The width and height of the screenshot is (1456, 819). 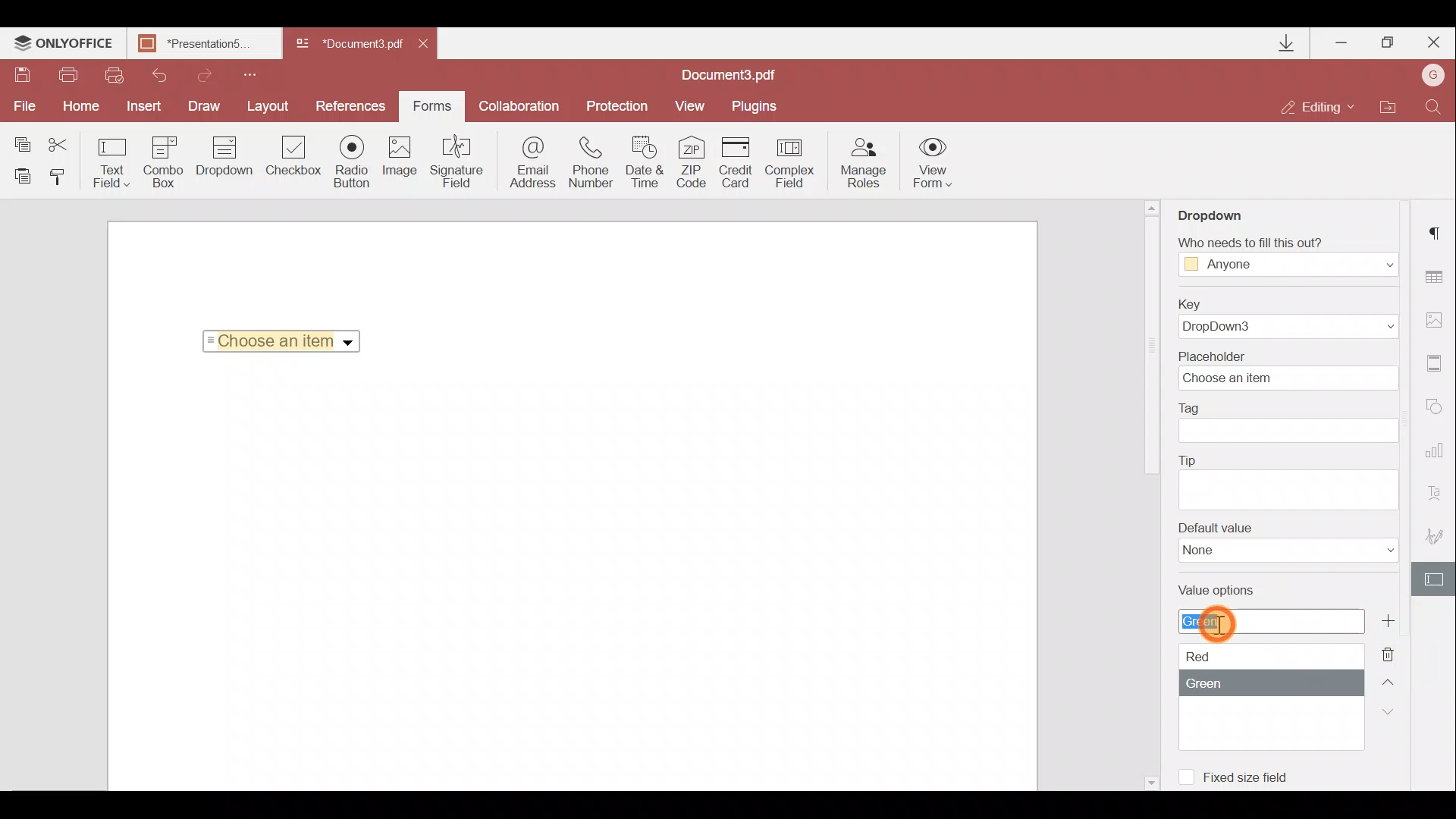 What do you see at coordinates (1339, 42) in the screenshot?
I see `Minimize` at bounding box center [1339, 42].